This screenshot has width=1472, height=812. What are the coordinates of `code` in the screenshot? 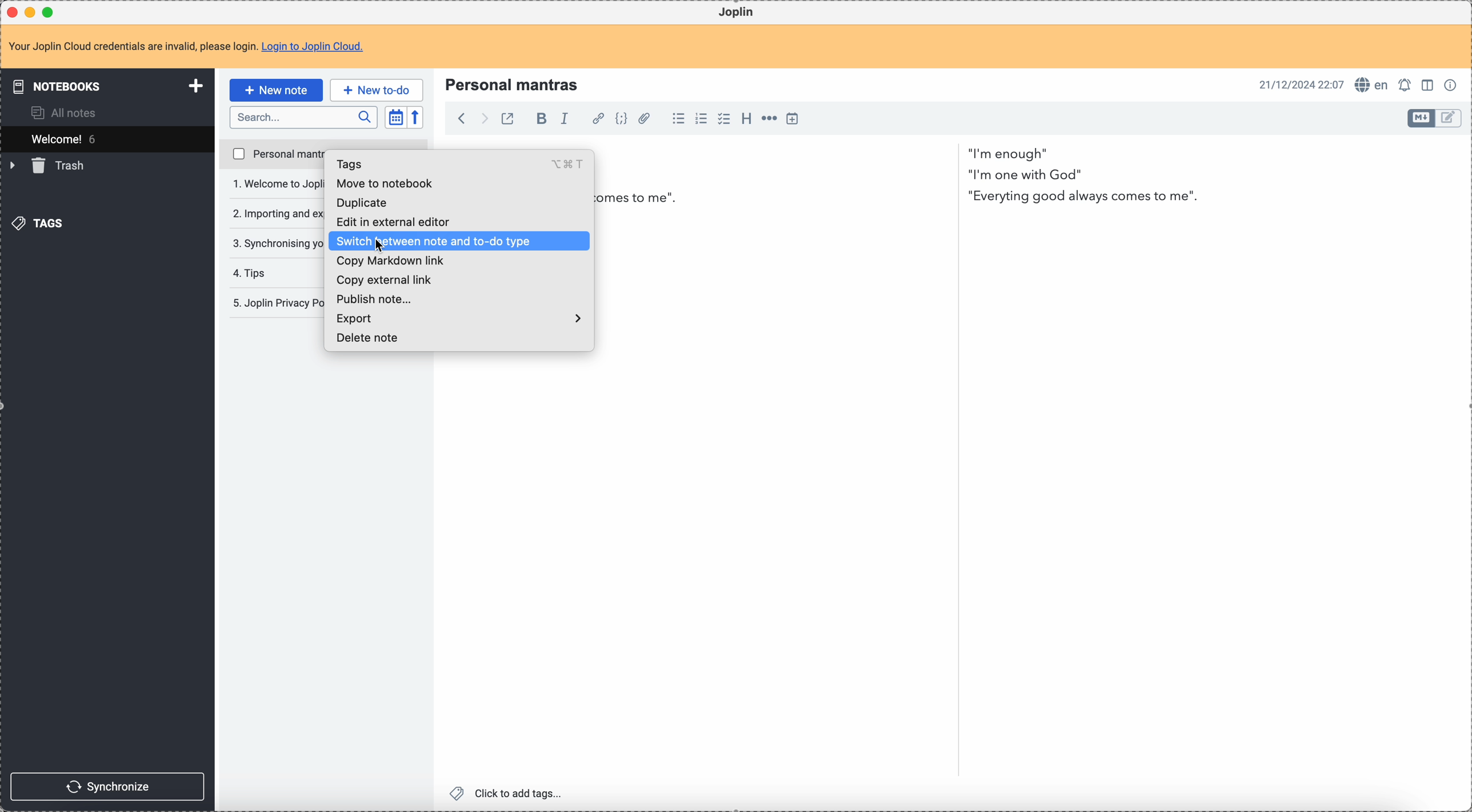 It's located at (622, 120).